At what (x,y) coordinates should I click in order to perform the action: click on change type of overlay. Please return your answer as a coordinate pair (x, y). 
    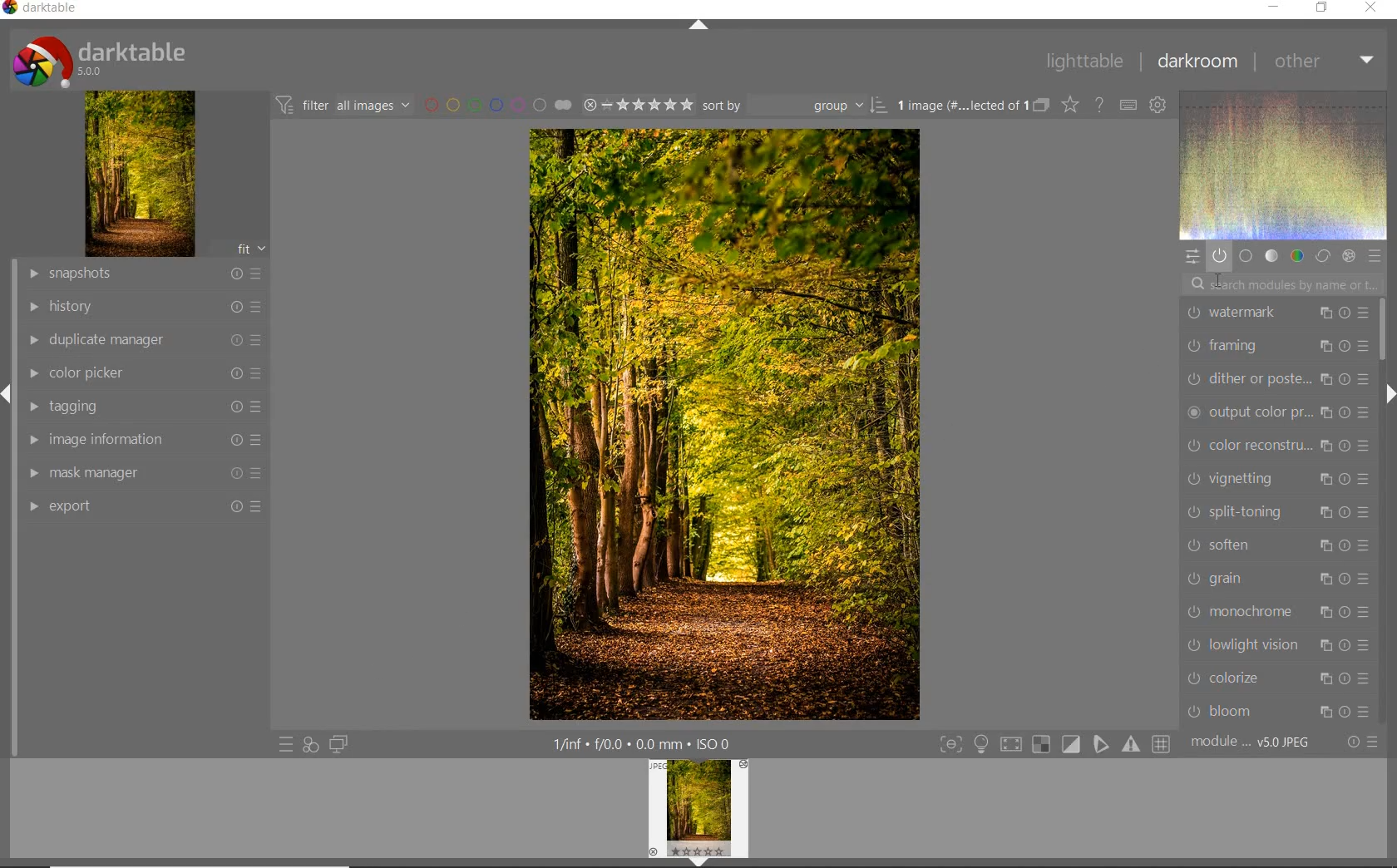
    Looking at the image, I should click on (1069, 106).